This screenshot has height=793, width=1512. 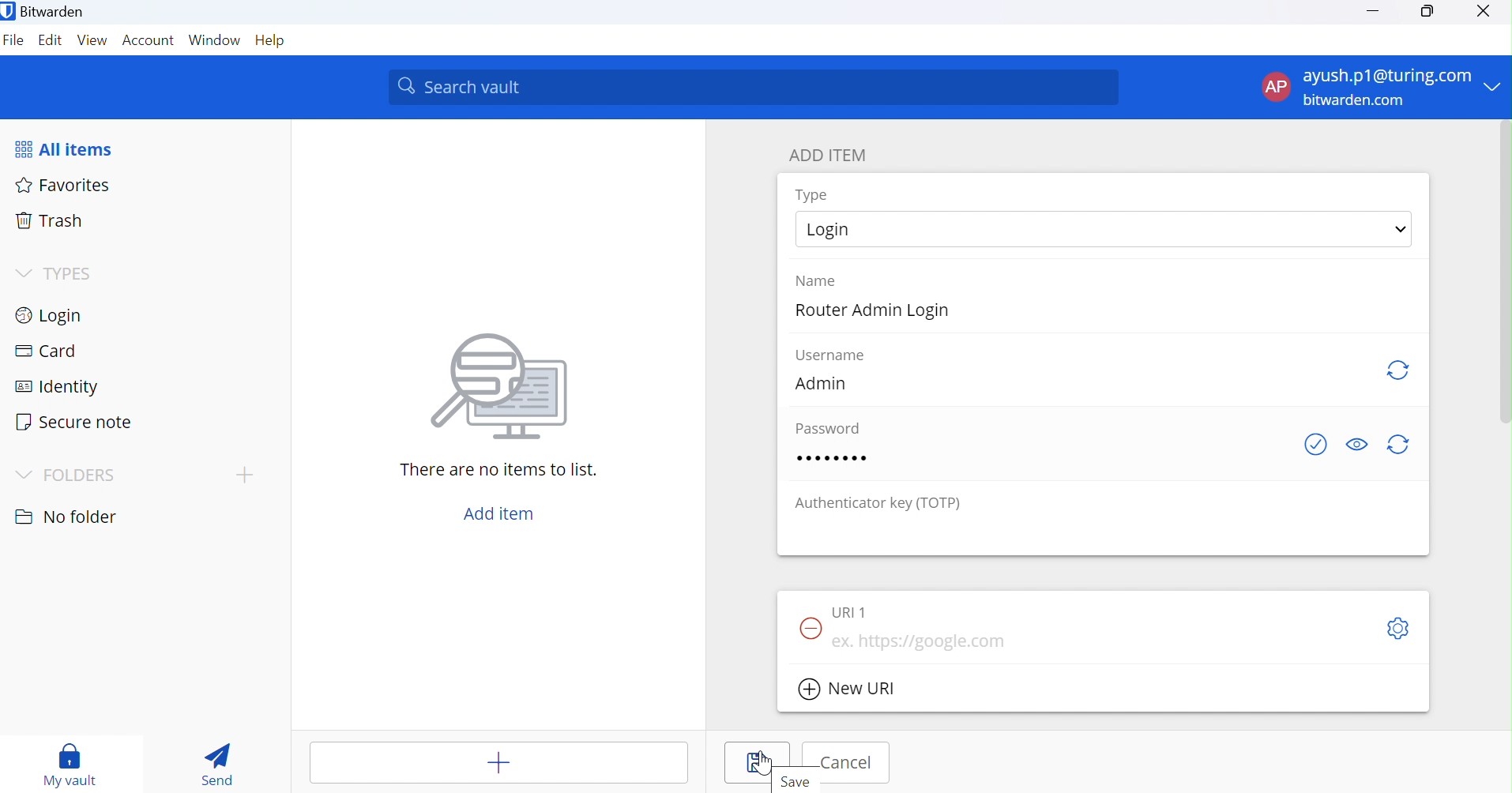 What do you see at coordinates (47, 352) in the screenshot?
I see `Card` at bounding box center [47, 352].